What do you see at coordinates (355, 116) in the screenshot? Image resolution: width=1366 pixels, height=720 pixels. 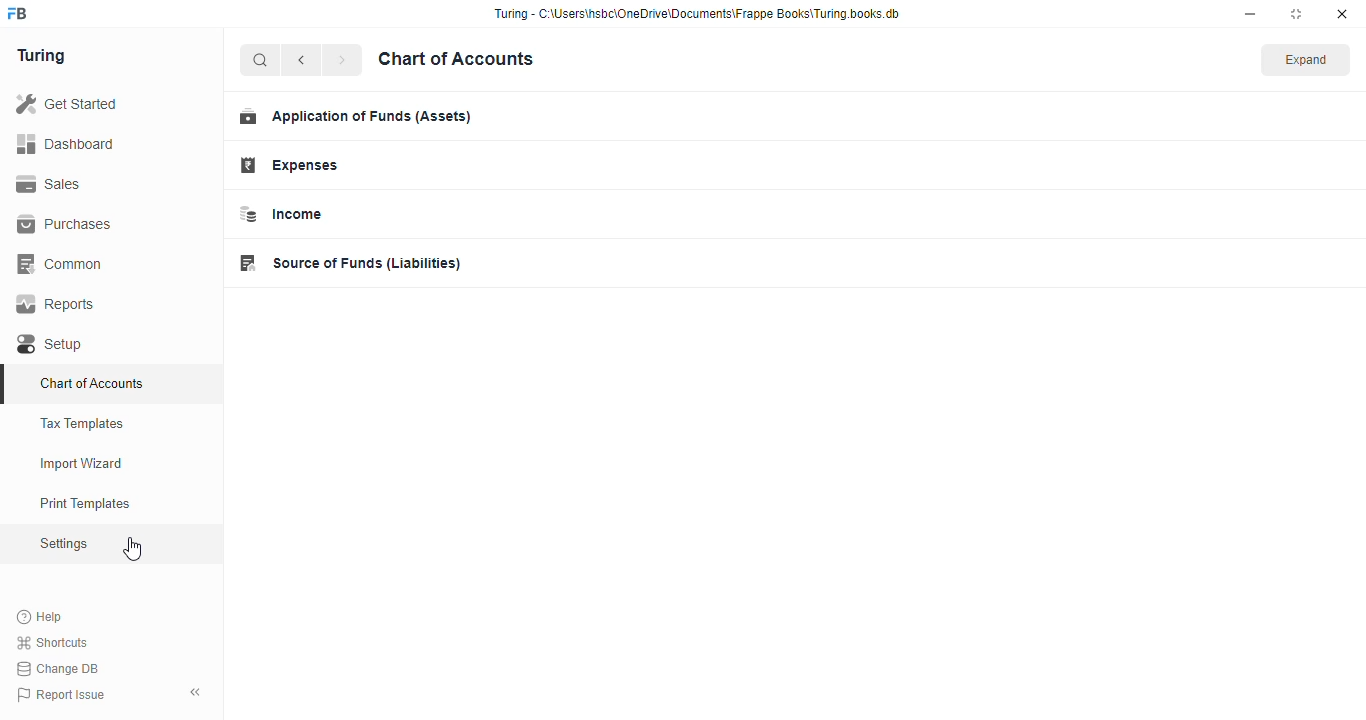 I see `application of funds (assets)` at bounding box center [355, 116].